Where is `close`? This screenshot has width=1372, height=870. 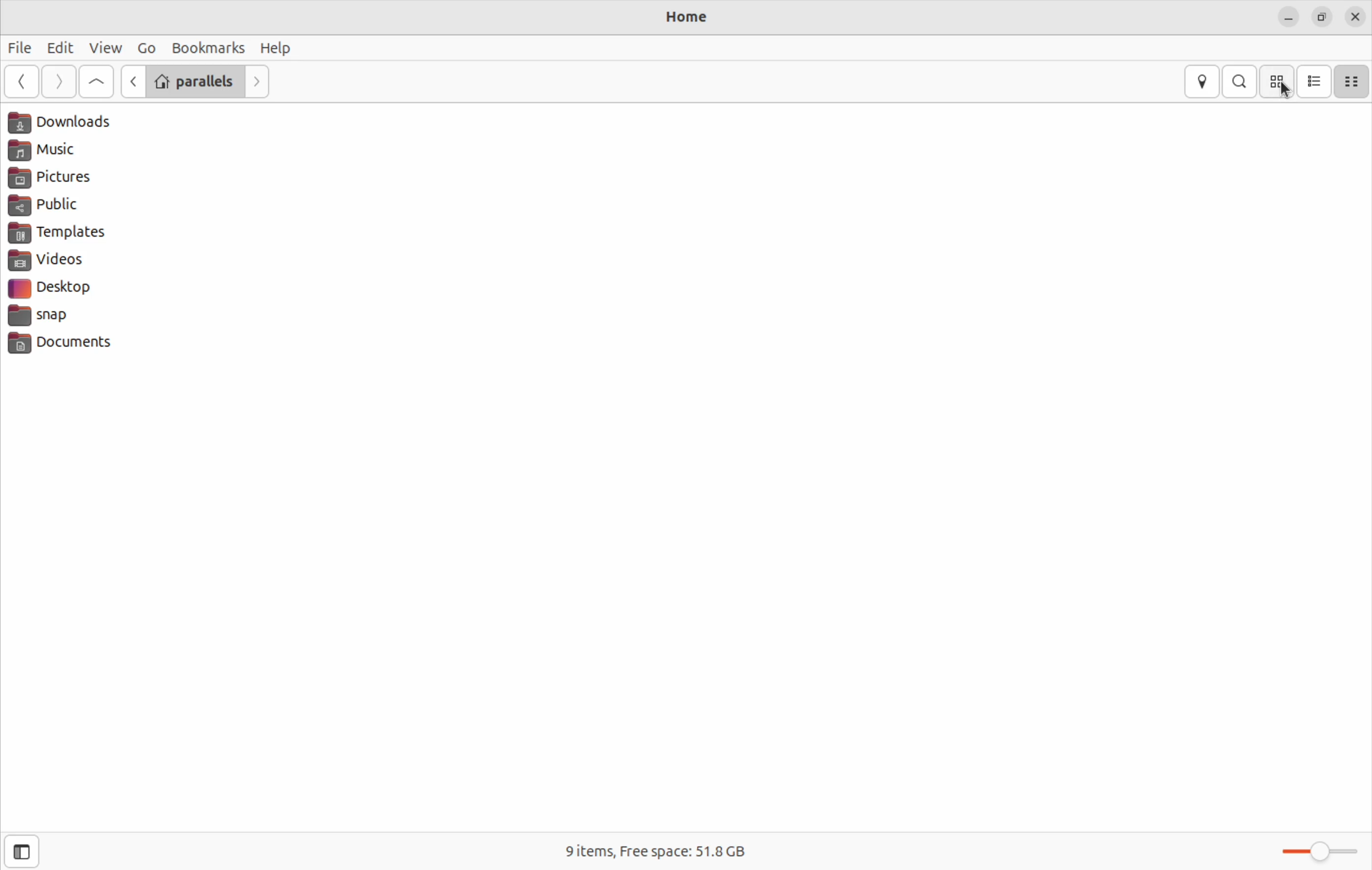 close is located at coordinates (1355, 17).